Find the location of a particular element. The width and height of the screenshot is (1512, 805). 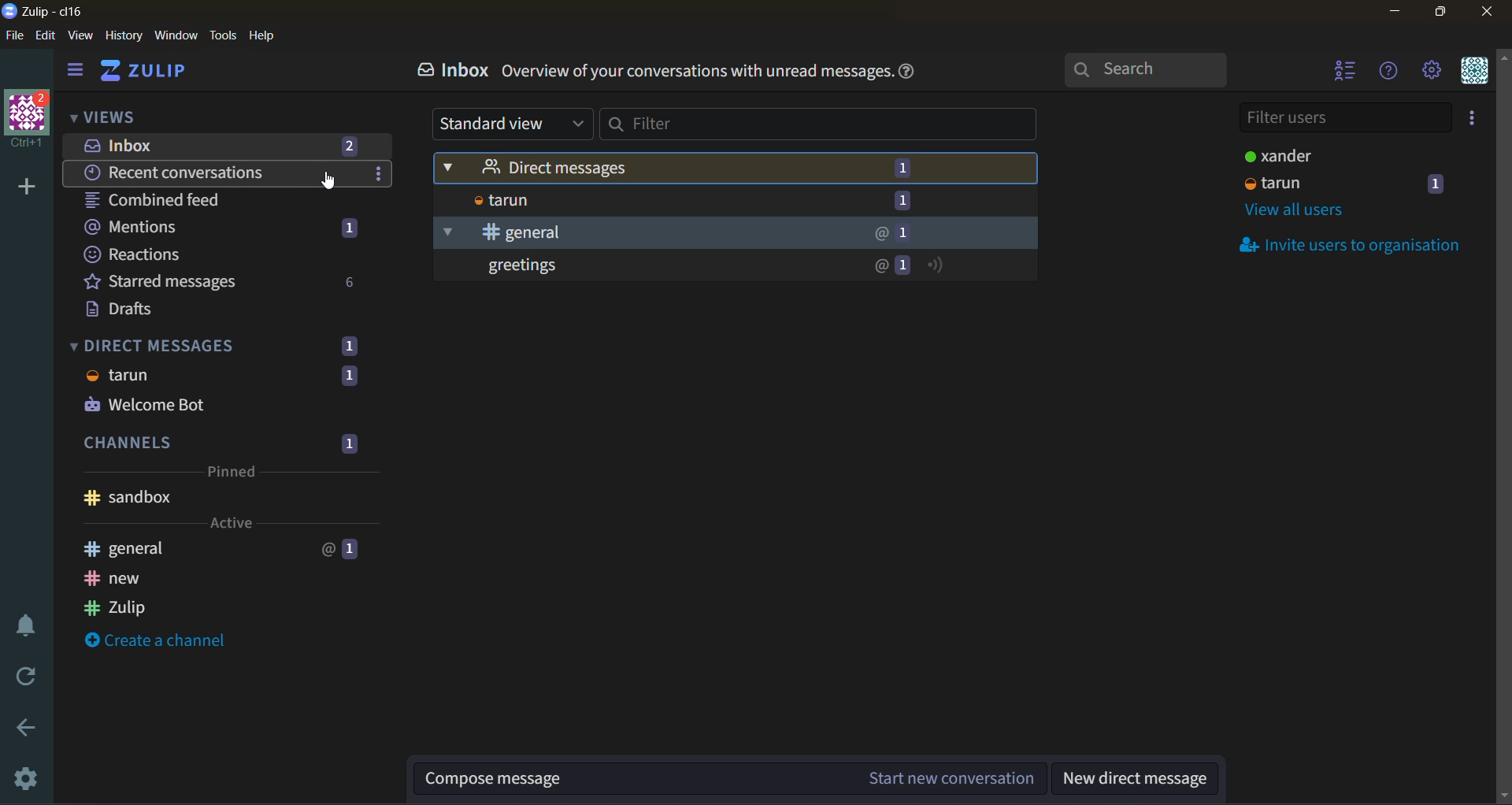

invite users to organisation is located at coordinates (1474, 121).